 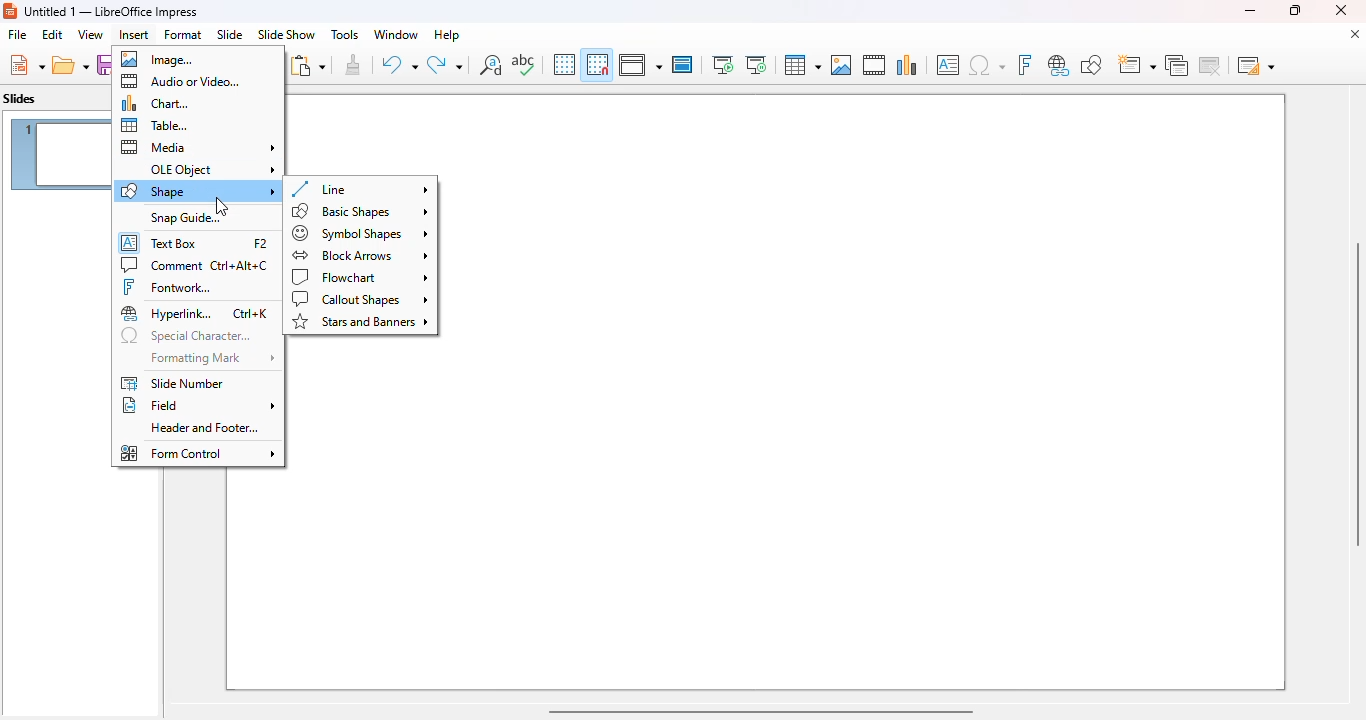 I want to click on insert text box, so click(x=948, y=65).